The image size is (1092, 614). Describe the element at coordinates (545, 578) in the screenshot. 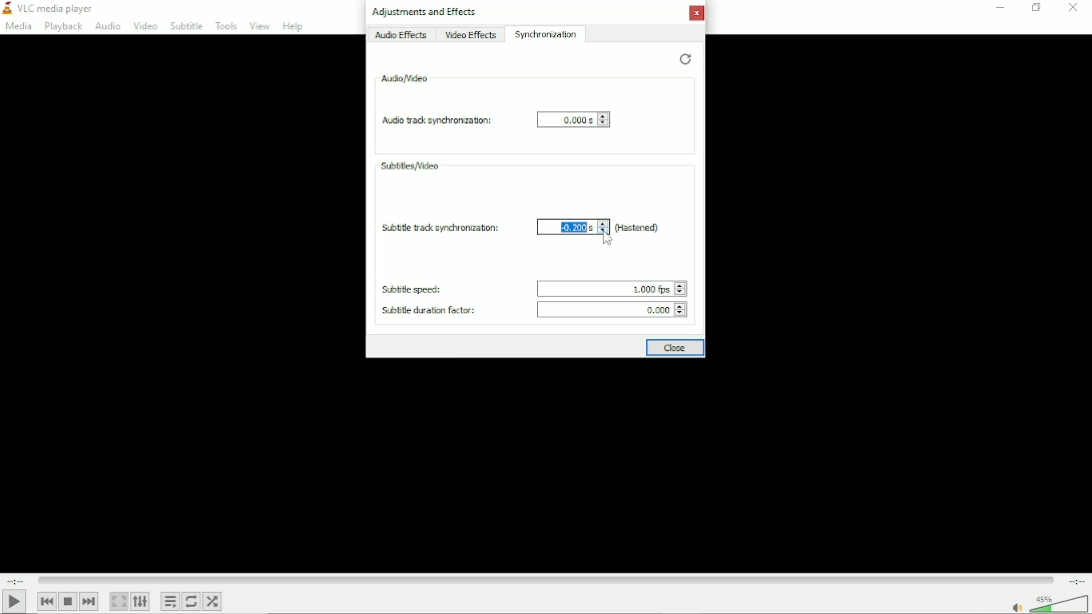

I see `Play duration` at that location.